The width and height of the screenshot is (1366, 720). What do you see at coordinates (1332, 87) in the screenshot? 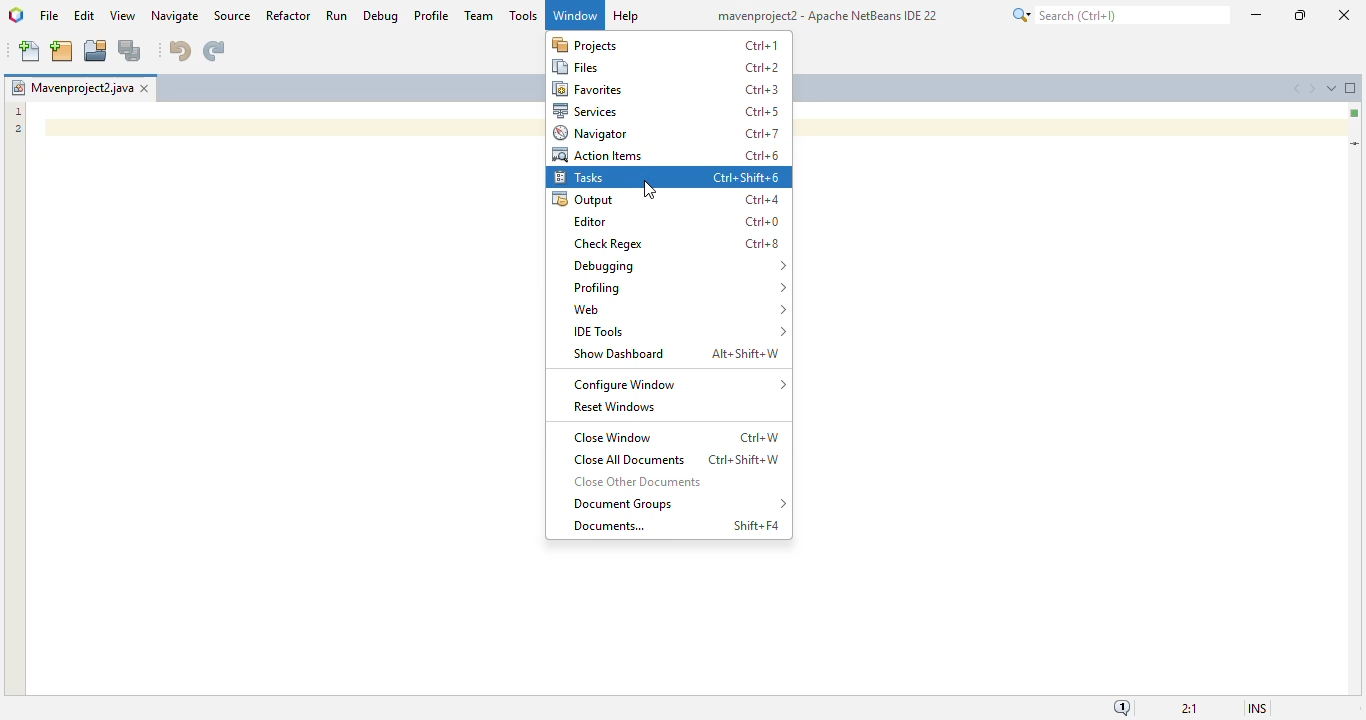
I see `show opened documents list` at bounding box center [1332, 87].